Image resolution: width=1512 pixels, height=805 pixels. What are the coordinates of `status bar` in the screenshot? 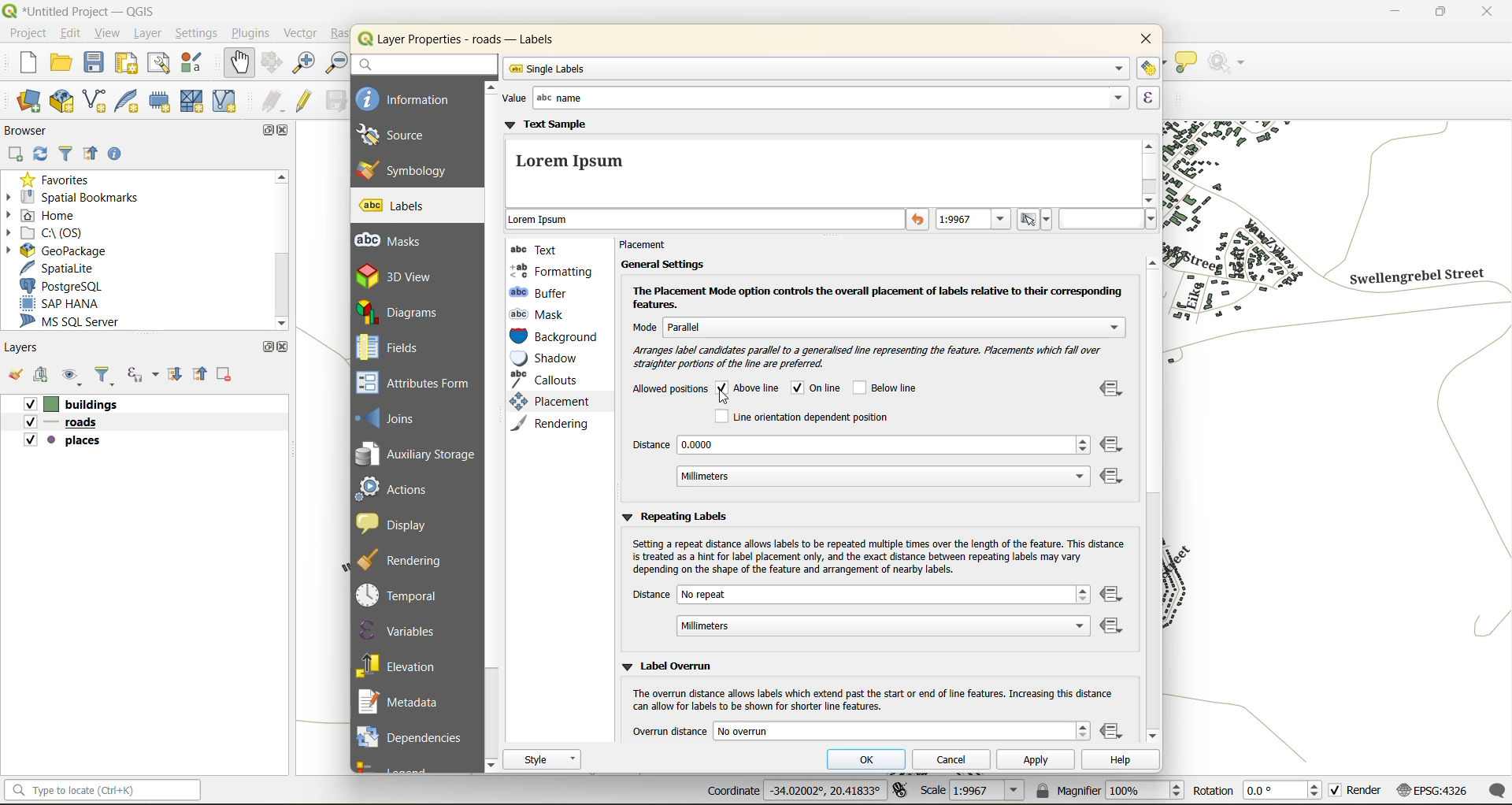 It's located at (105, 792).